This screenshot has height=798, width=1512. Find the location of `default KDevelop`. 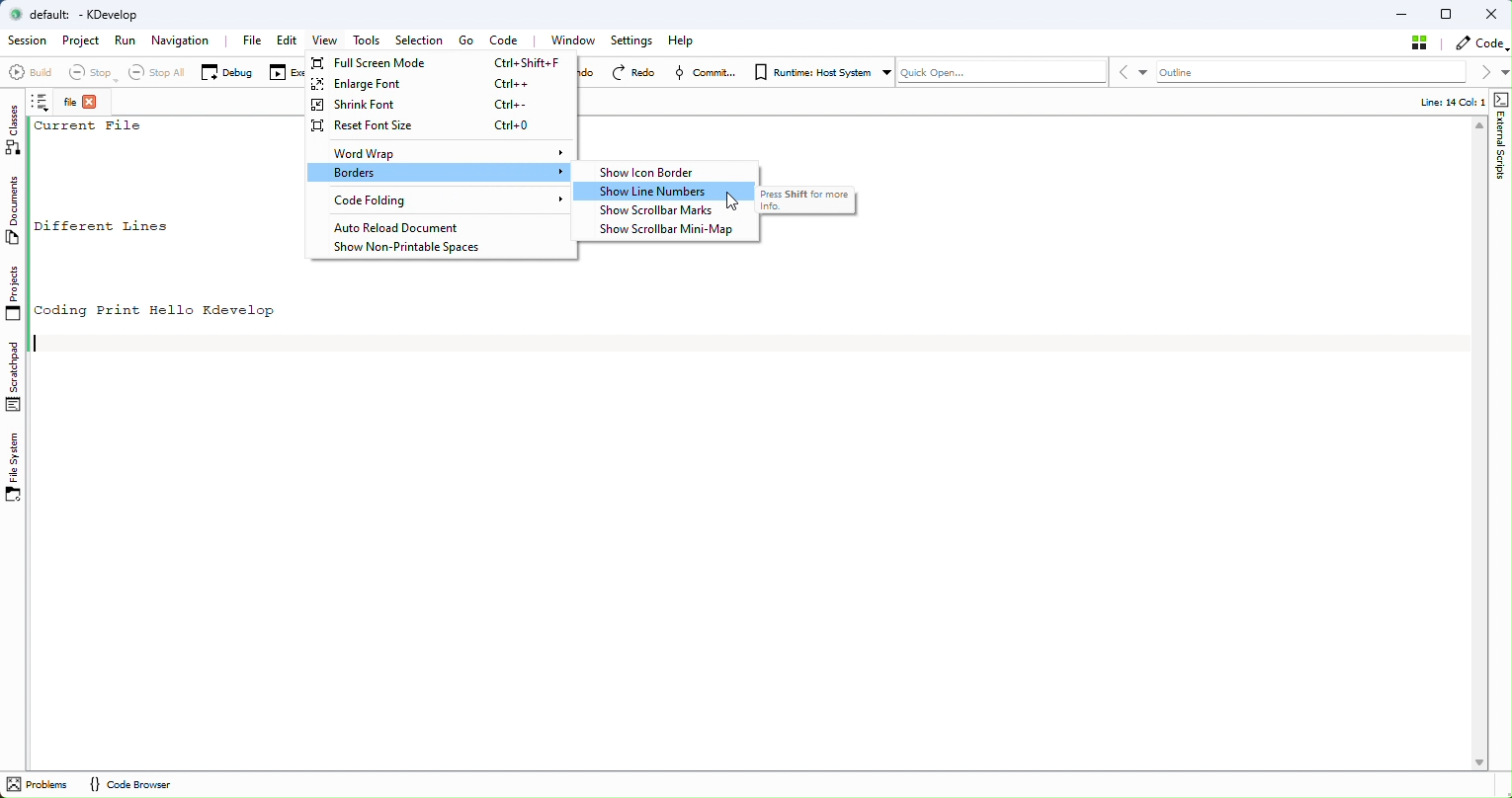

default KDevelop is located at coordinates (82, 15).